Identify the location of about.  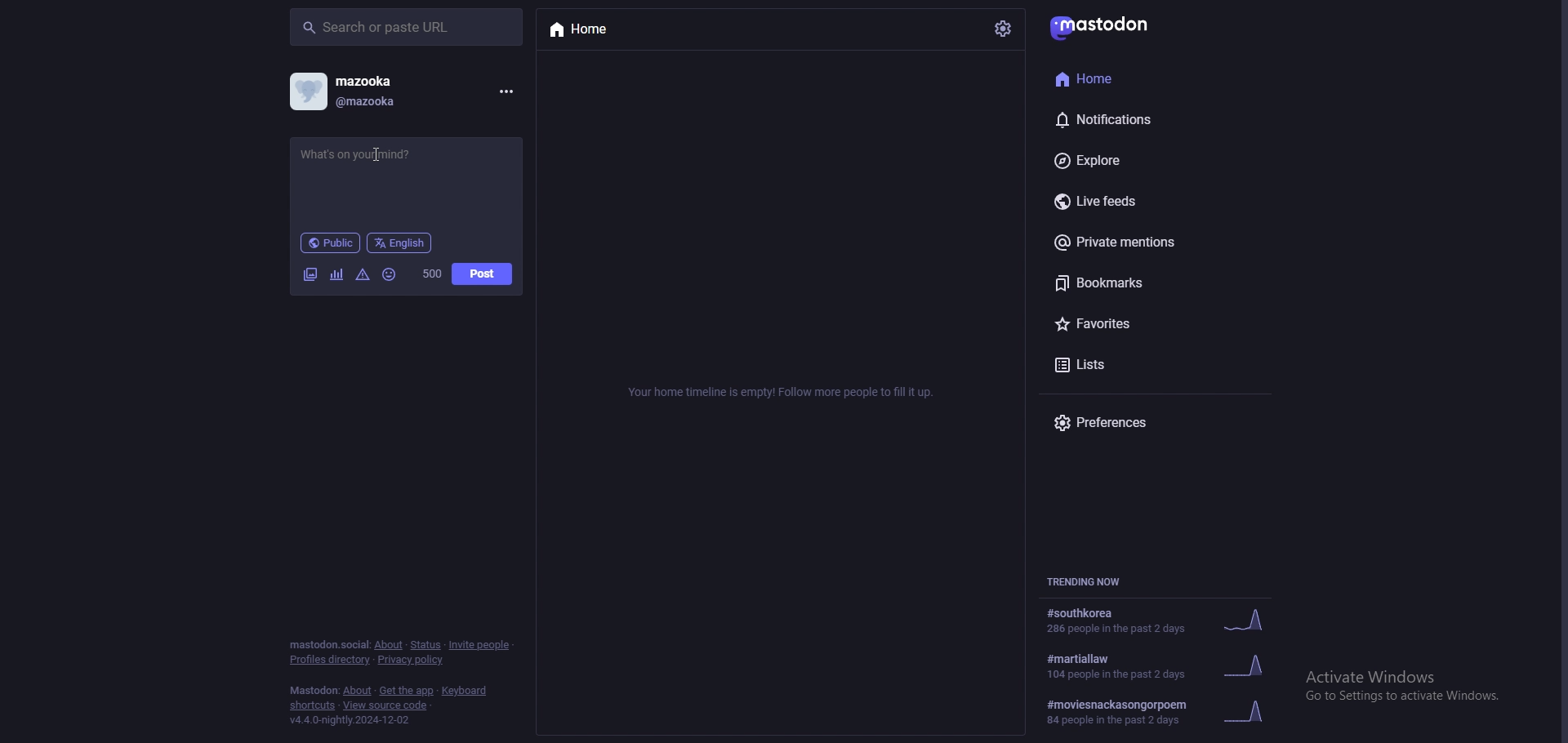
(357, 691).